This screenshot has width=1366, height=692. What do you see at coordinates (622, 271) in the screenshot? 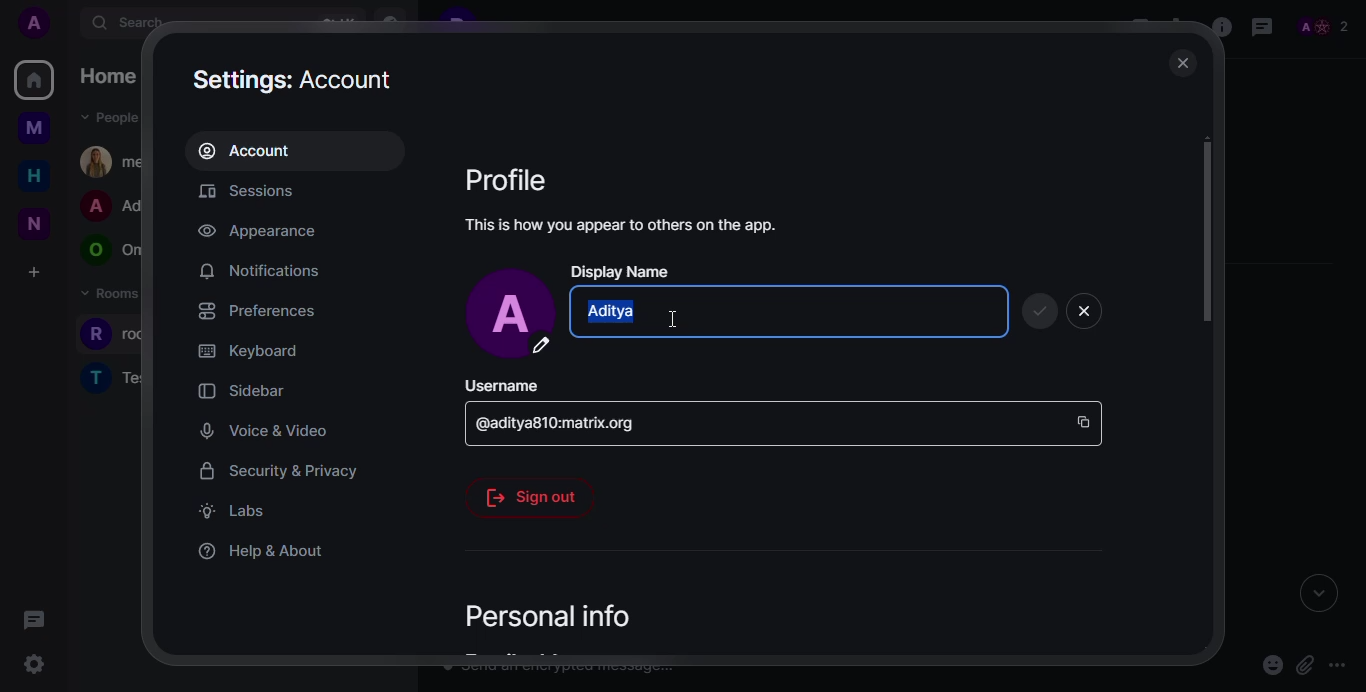
I see `display name` at bounding box center [622, 271].